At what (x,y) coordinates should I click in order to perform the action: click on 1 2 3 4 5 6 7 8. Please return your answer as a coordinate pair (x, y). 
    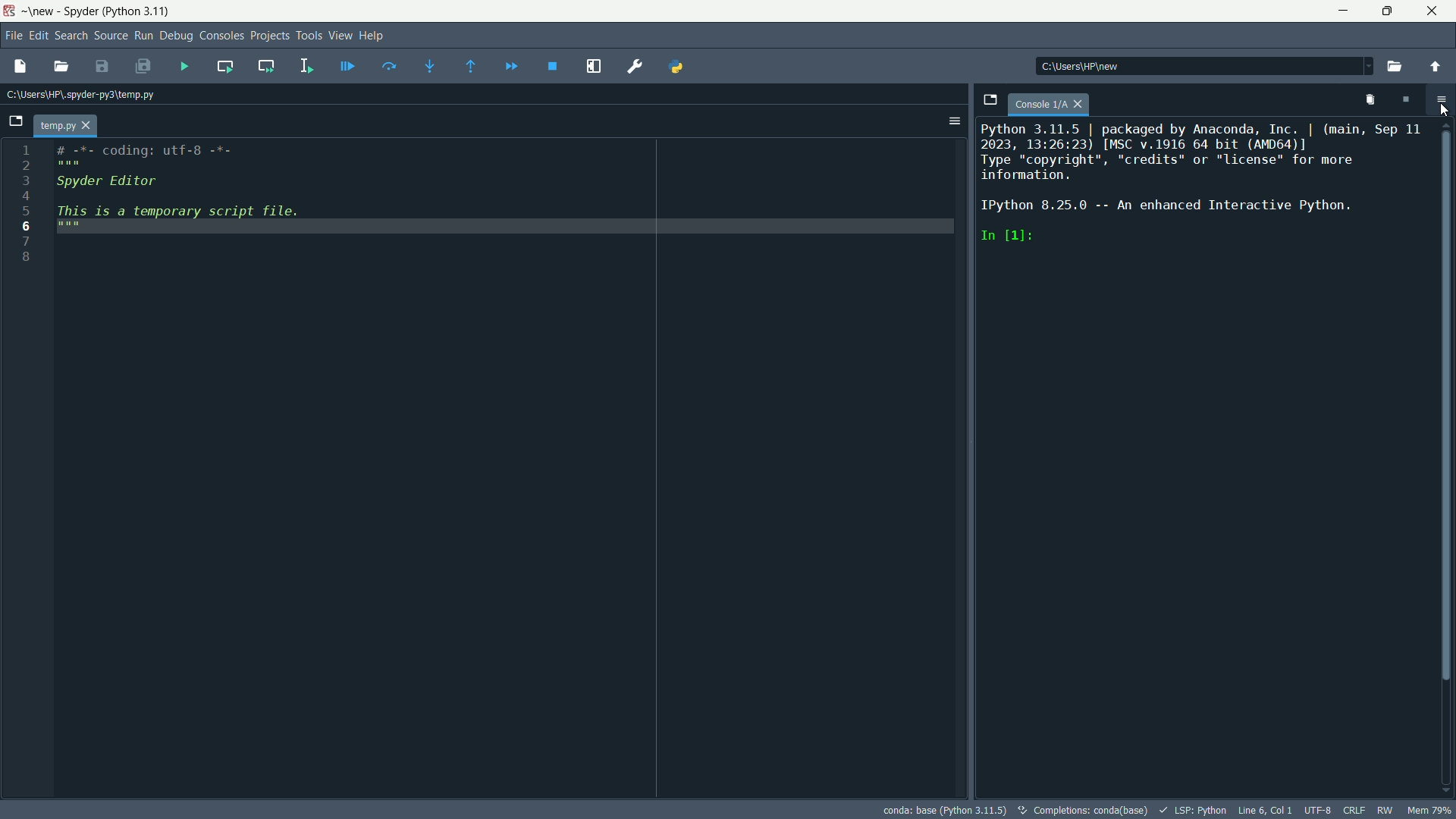
    Looking at the image, I should click on (24, 206).